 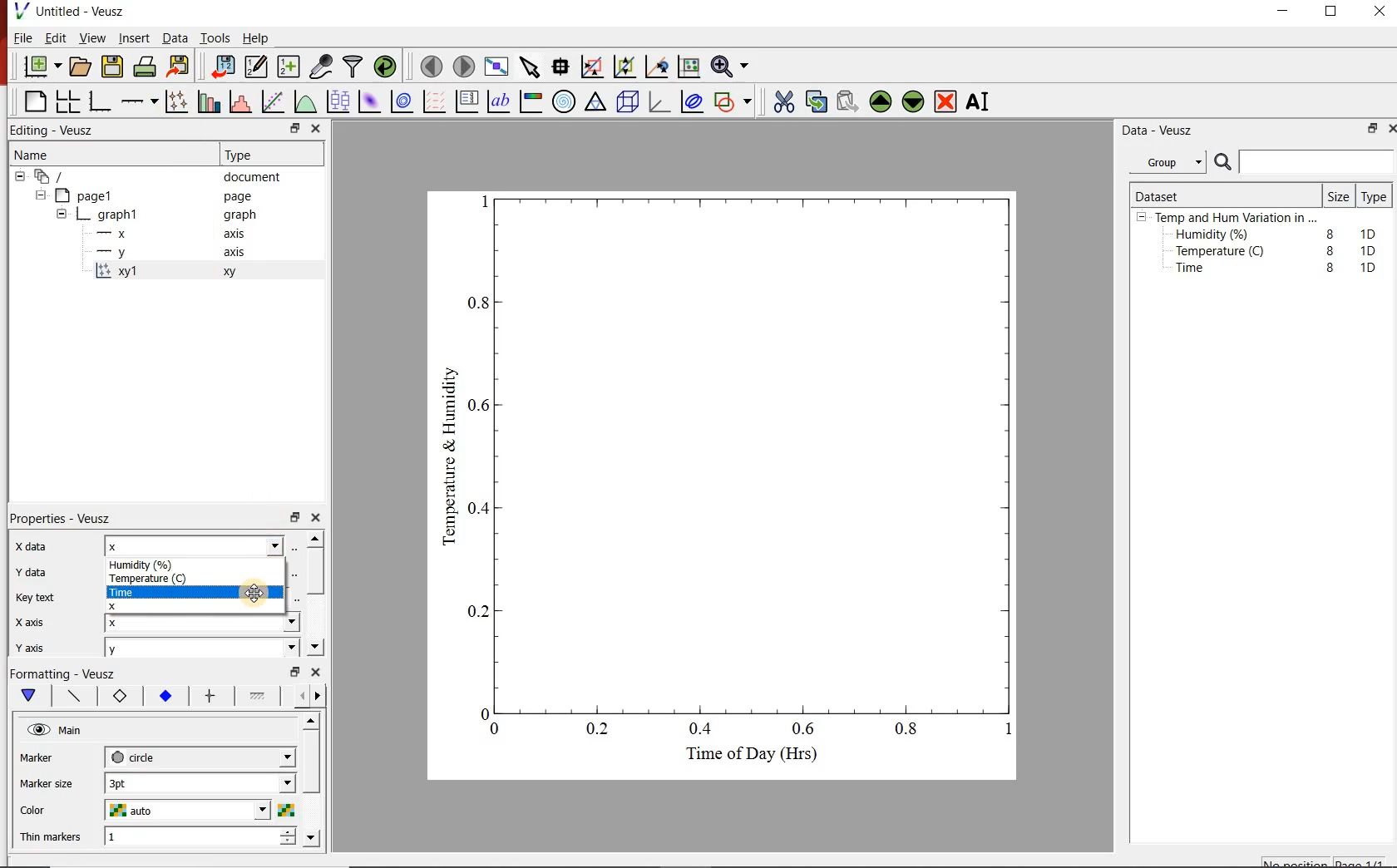 What do you see at coordinates (1369, 131) in the screenshot?
I see `restore down` at bounding box center [1369, 131].